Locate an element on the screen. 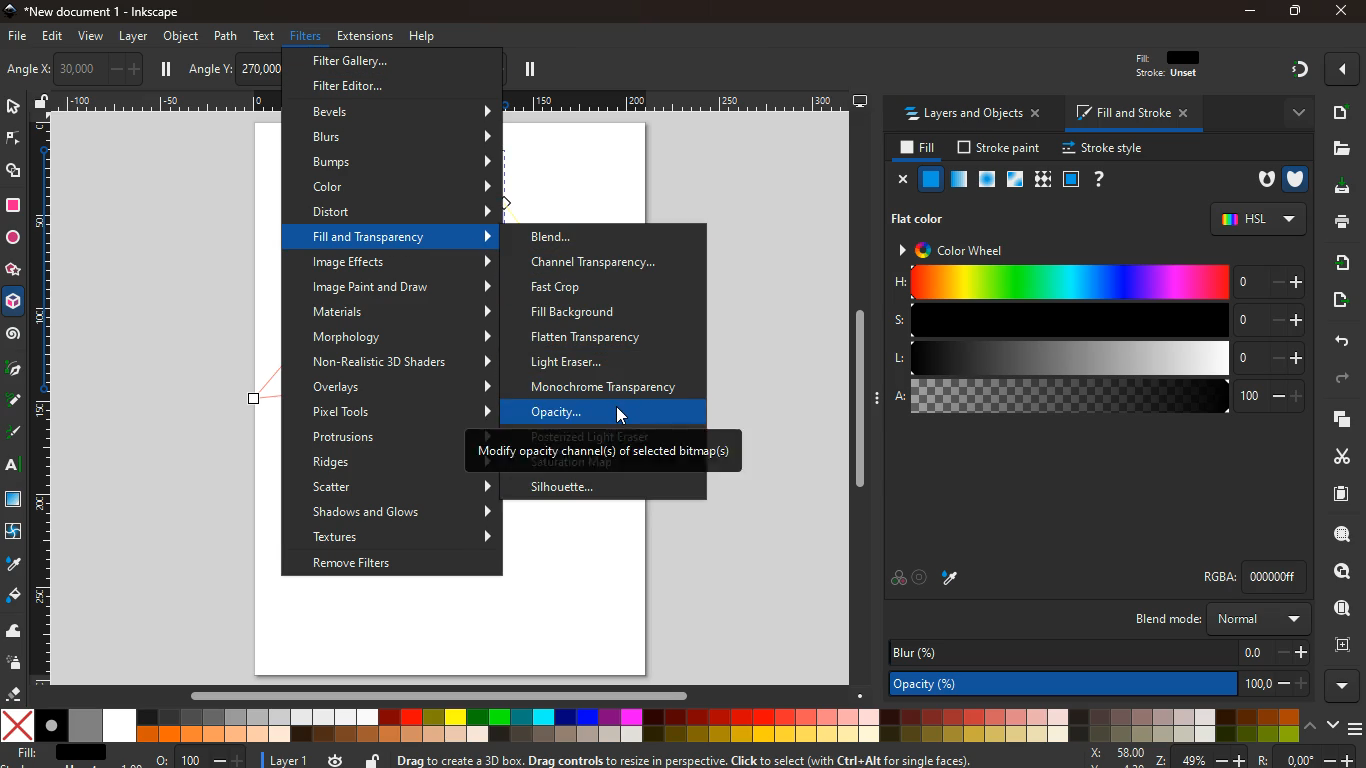 The width and height of the screenshot is (1366, 768). pixel tools is located at coordinates (401, 411).